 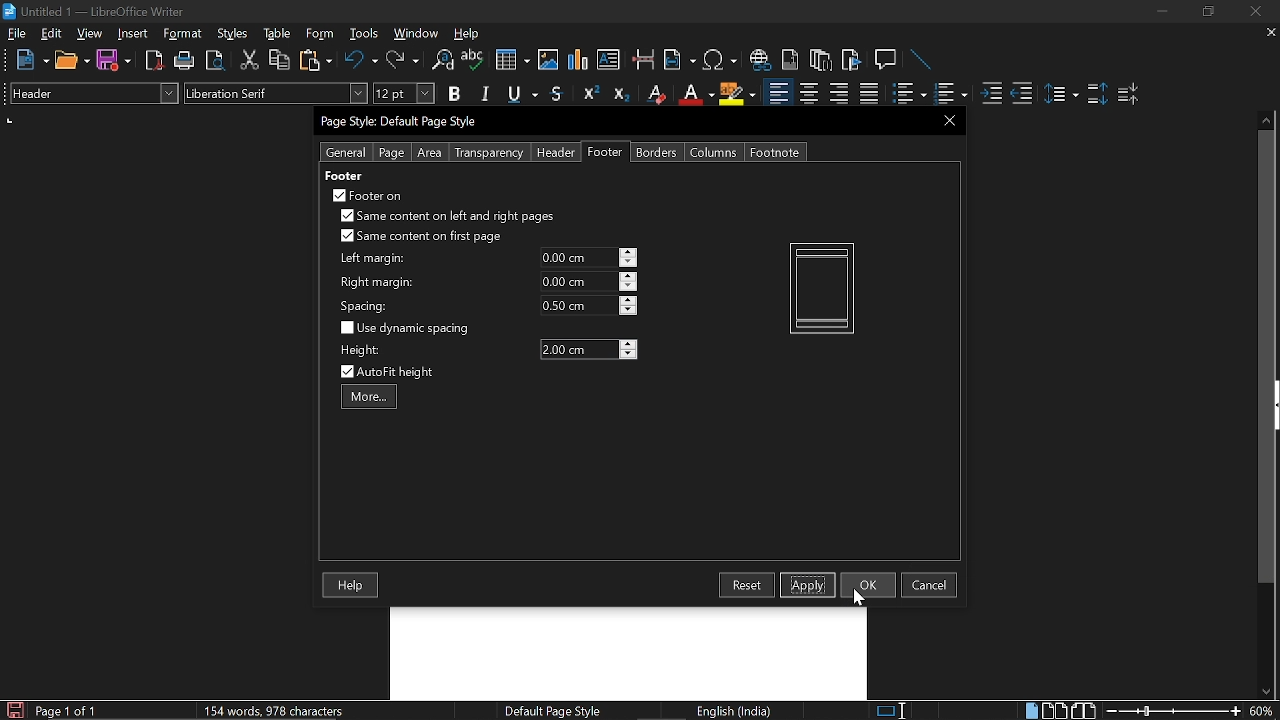 I want to click on Borders, so click(x=658, y=152).